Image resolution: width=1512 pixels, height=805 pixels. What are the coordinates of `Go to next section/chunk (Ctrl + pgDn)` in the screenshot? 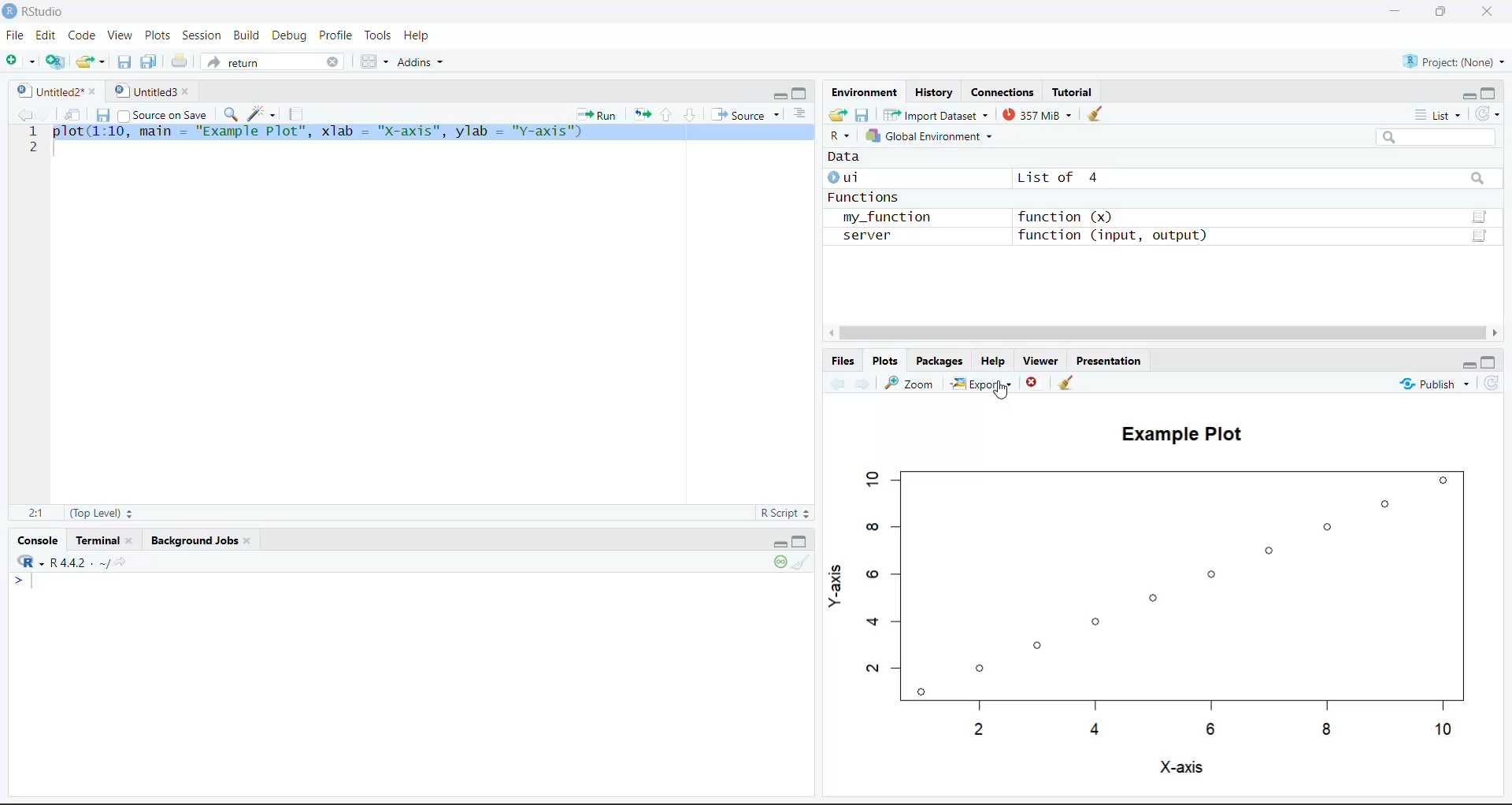 It's located at (688, 113).